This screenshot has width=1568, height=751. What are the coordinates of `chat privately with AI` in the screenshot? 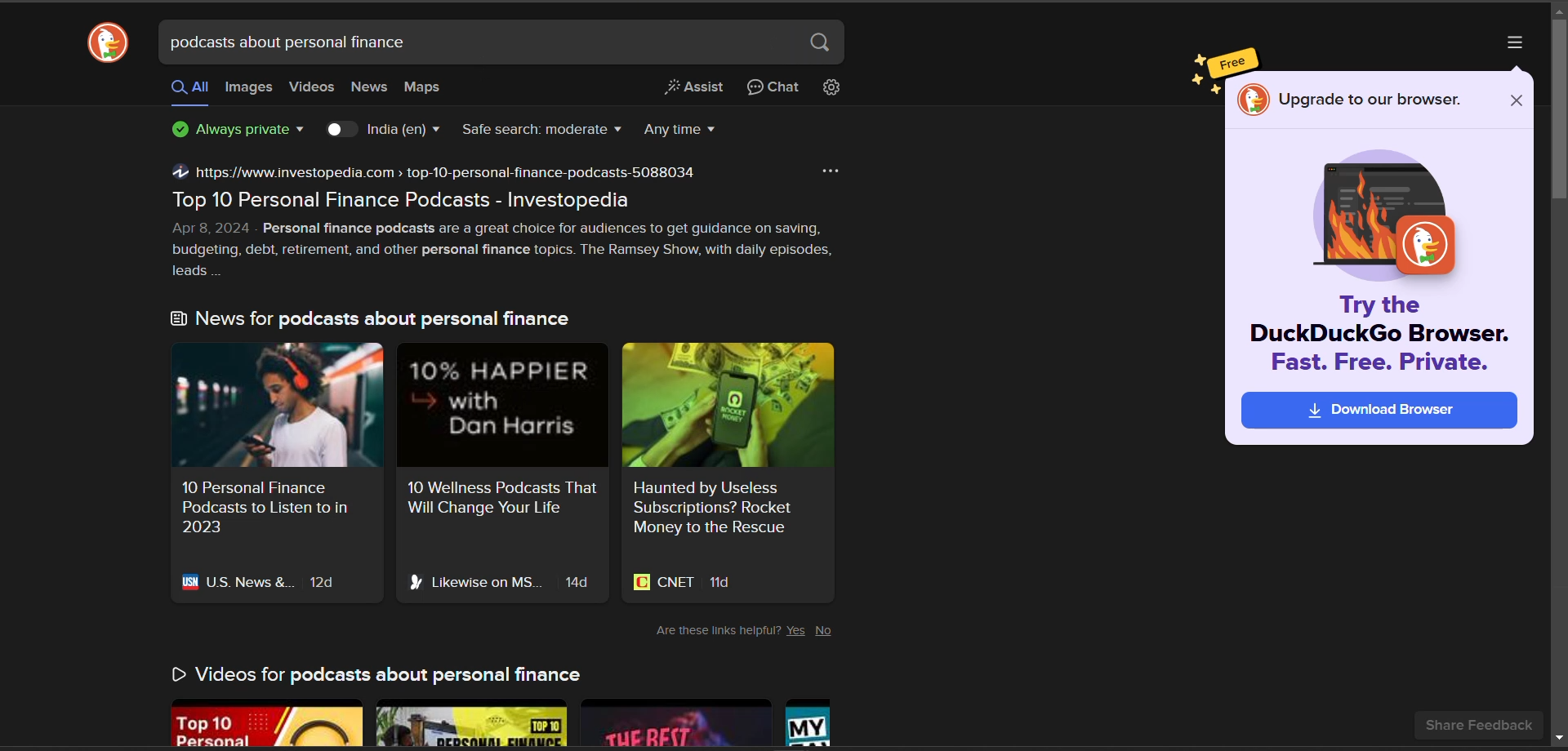 It's located at (773, 88).